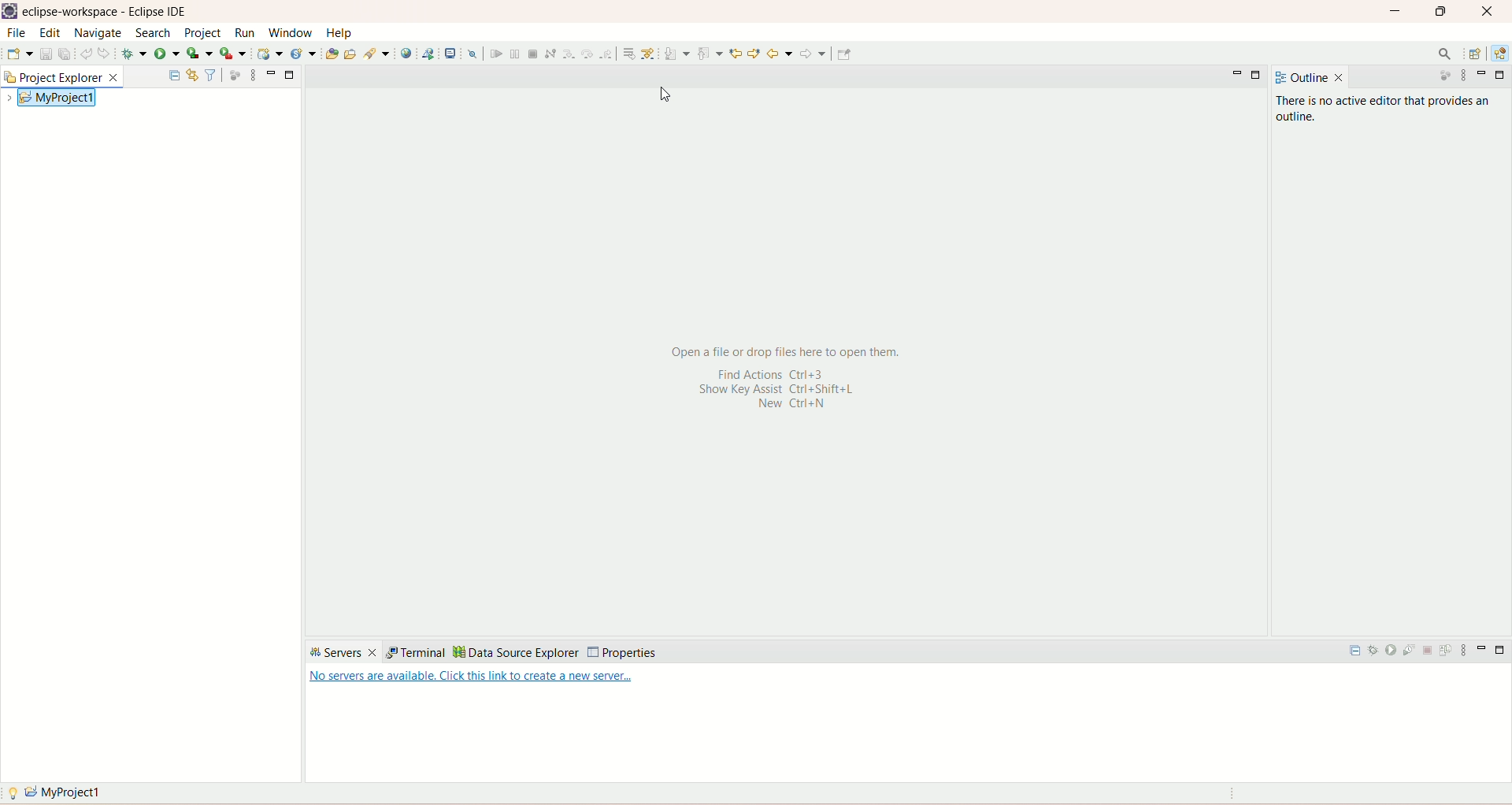  I want to click on open perspective, so click(1475, 53).